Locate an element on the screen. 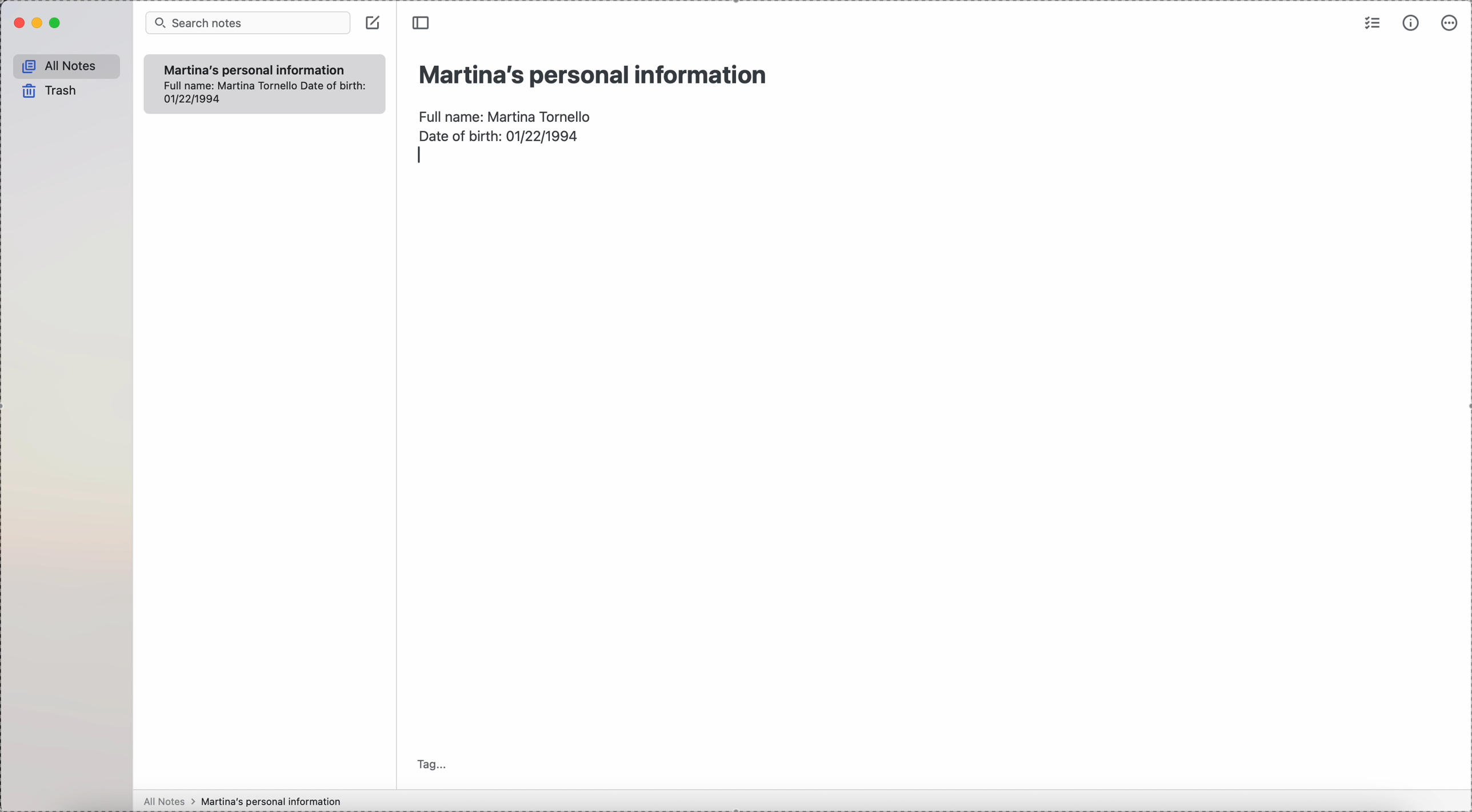 Image resolution: width=1472 pixels, height=812 pixels. tag is located at coordinates (431, 764).